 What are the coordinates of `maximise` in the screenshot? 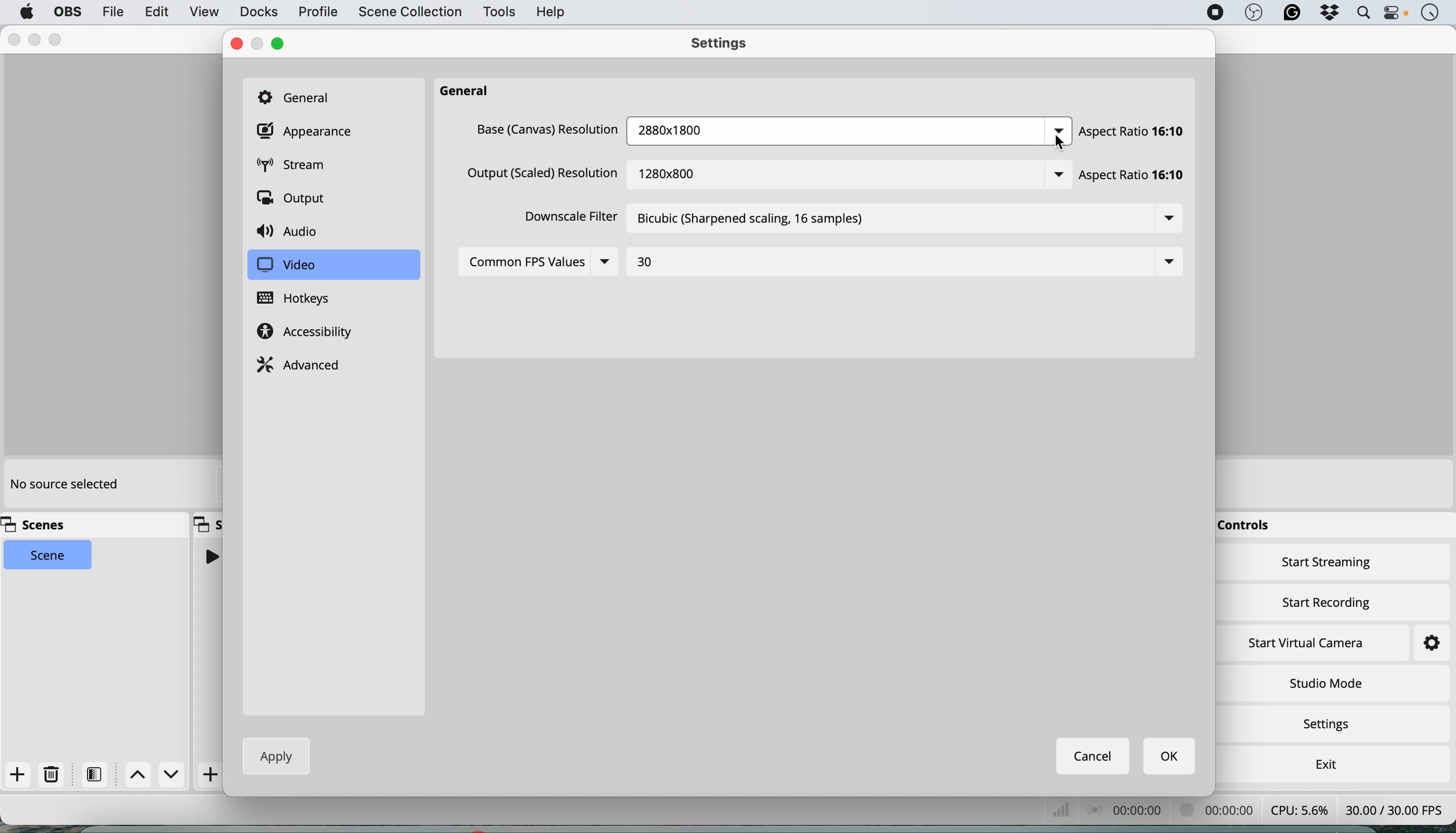 It's located at (58, 39).